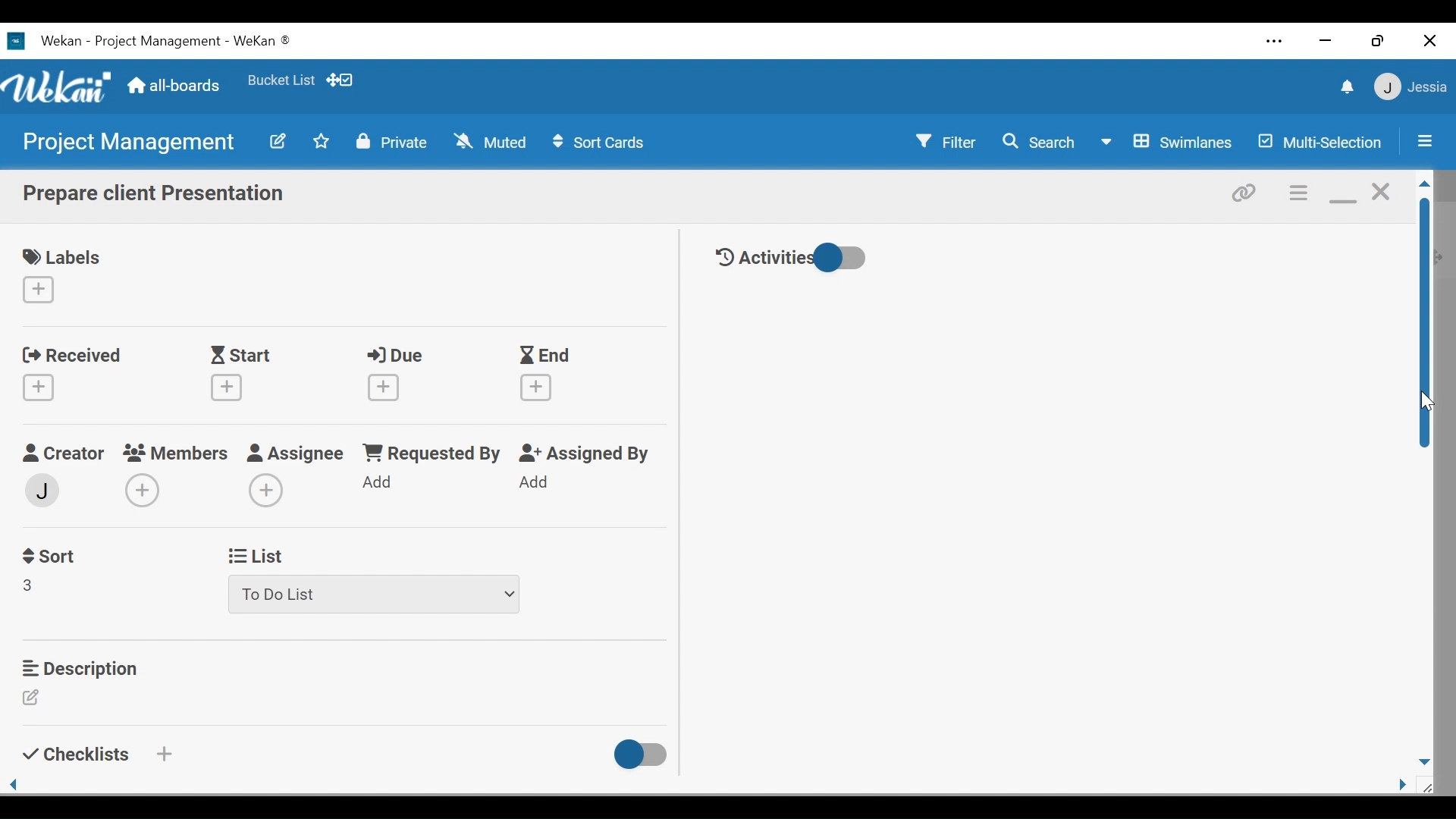  I want to click on close, so click(1429, 41).